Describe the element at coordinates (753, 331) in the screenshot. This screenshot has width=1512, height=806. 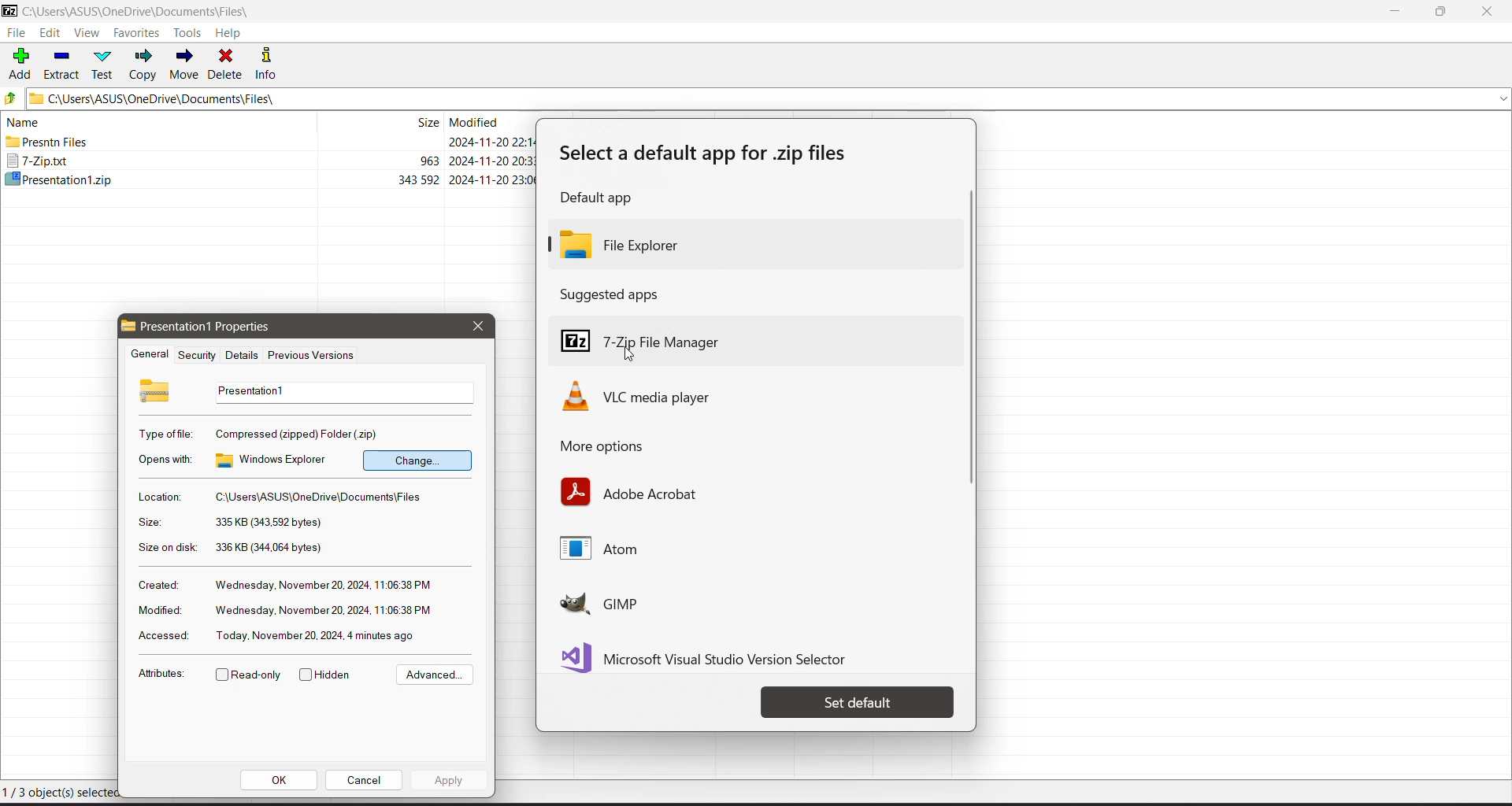
I see `7-Zip File Manager` at that location.